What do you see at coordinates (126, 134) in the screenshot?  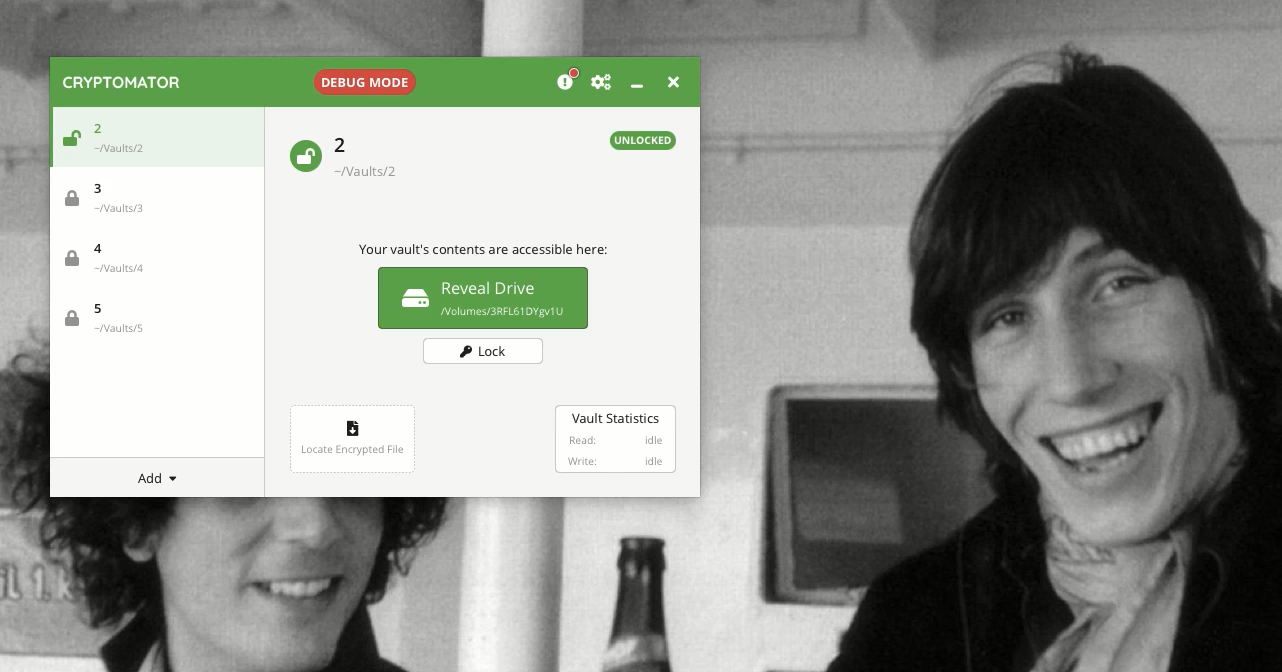 I see `Vault 2` at bounding box center [126, 134].